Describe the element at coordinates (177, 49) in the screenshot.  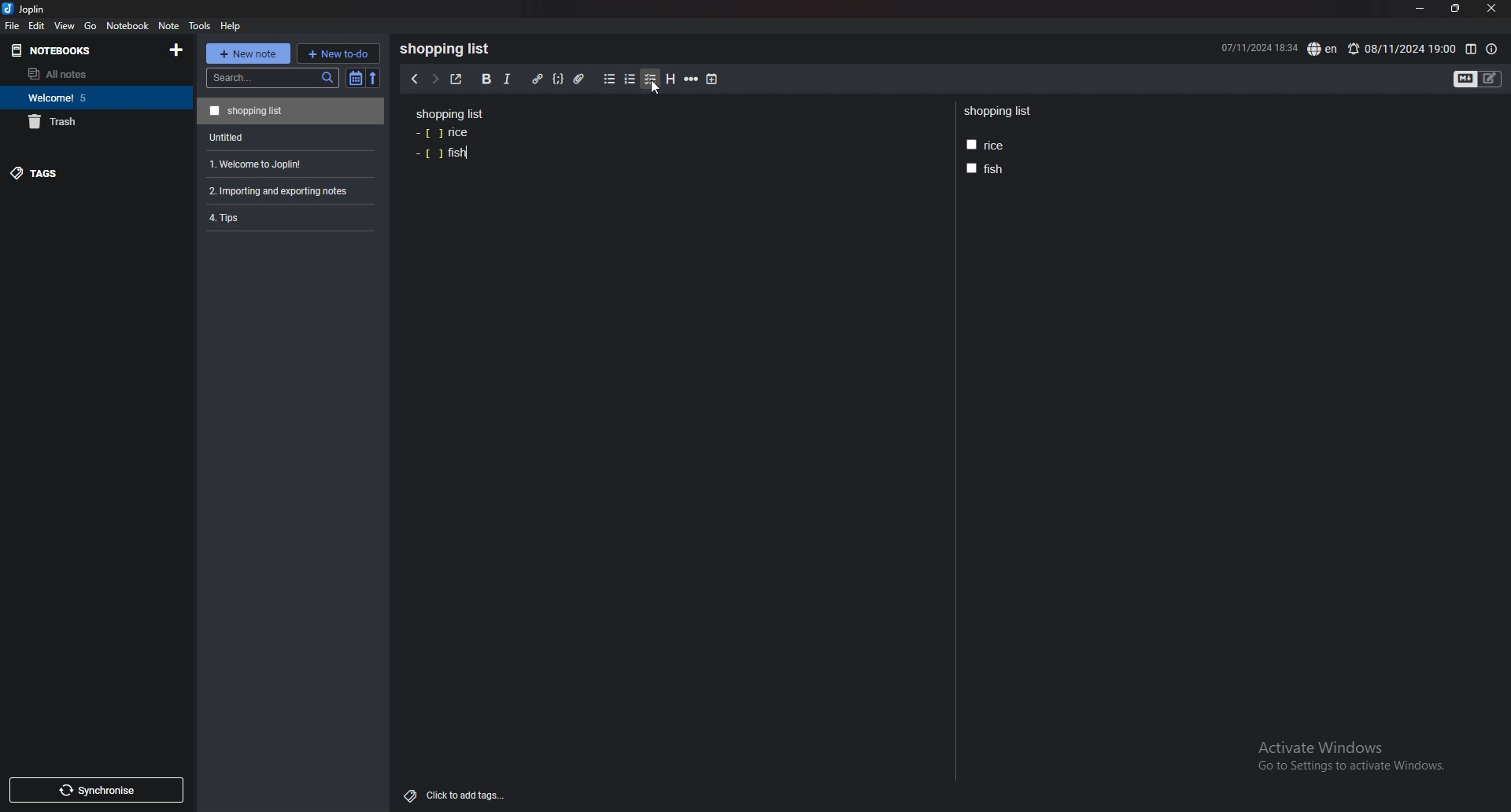
I see `add notebooks` at that location.